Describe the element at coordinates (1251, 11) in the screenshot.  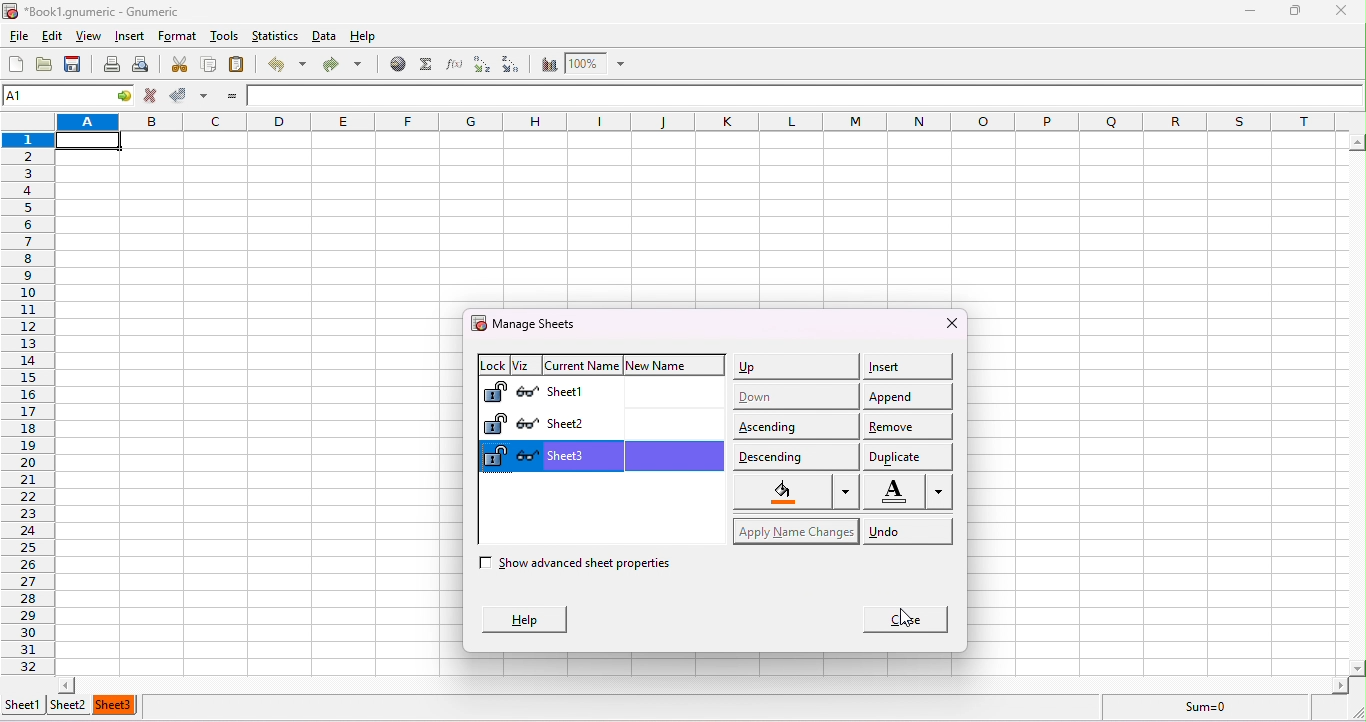
I see `minimize` at that location.